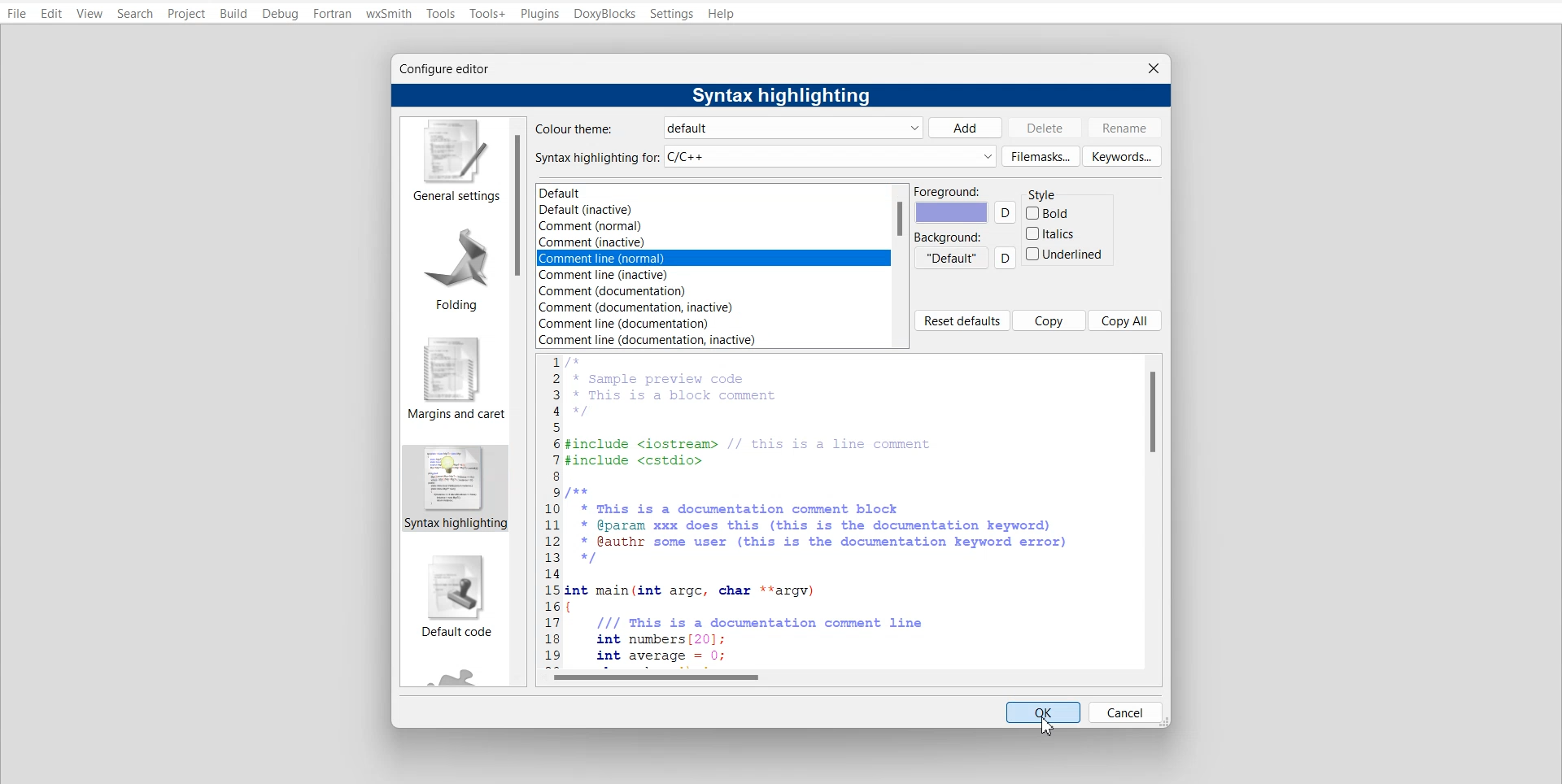 Image resolution: width=1562 pixels, height=784 pixels. I want to click on General Settings, so click(453, 160).